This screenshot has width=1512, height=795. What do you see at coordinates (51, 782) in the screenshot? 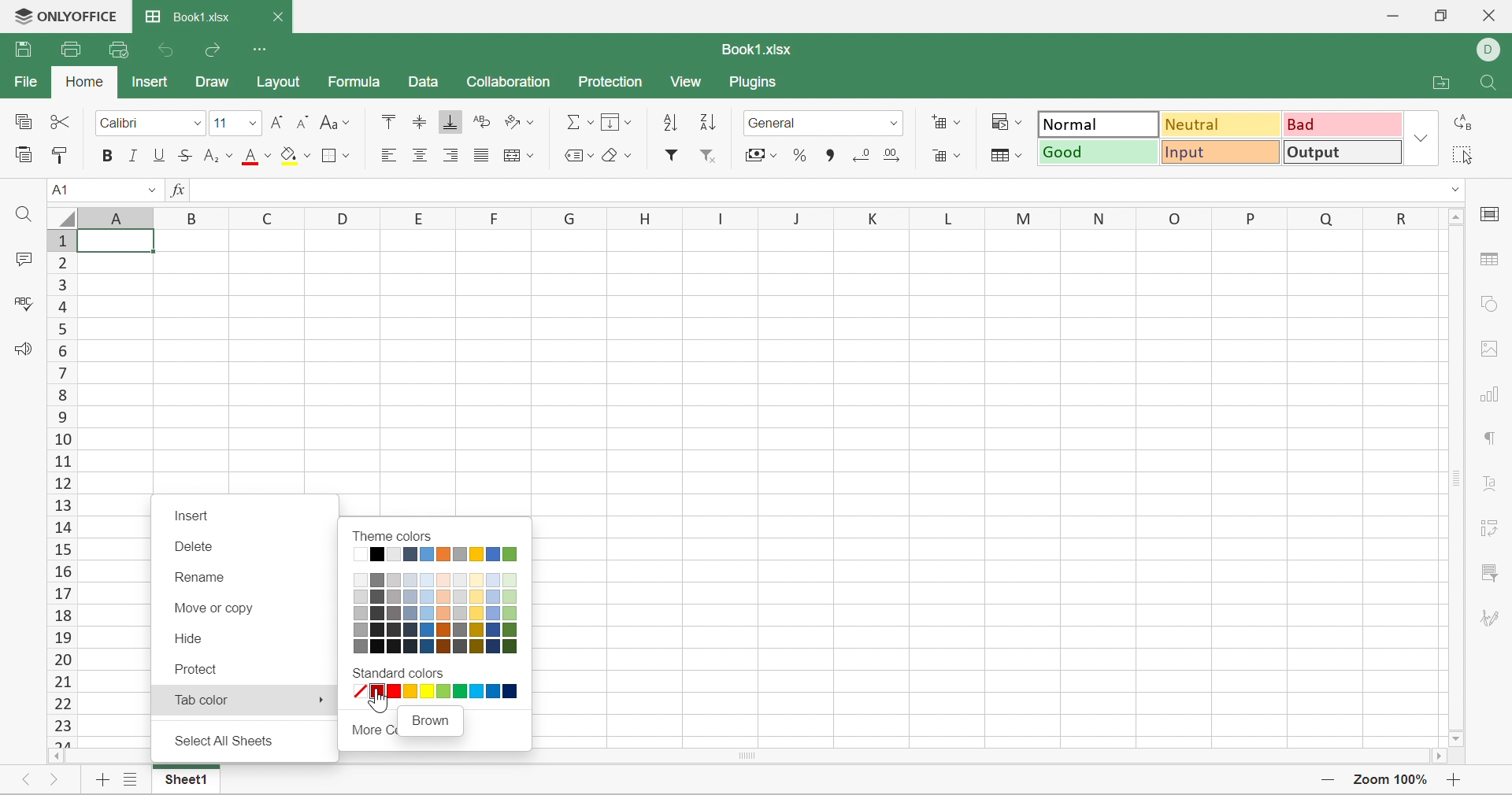
I see `Next` at bounding box center [51, 782].